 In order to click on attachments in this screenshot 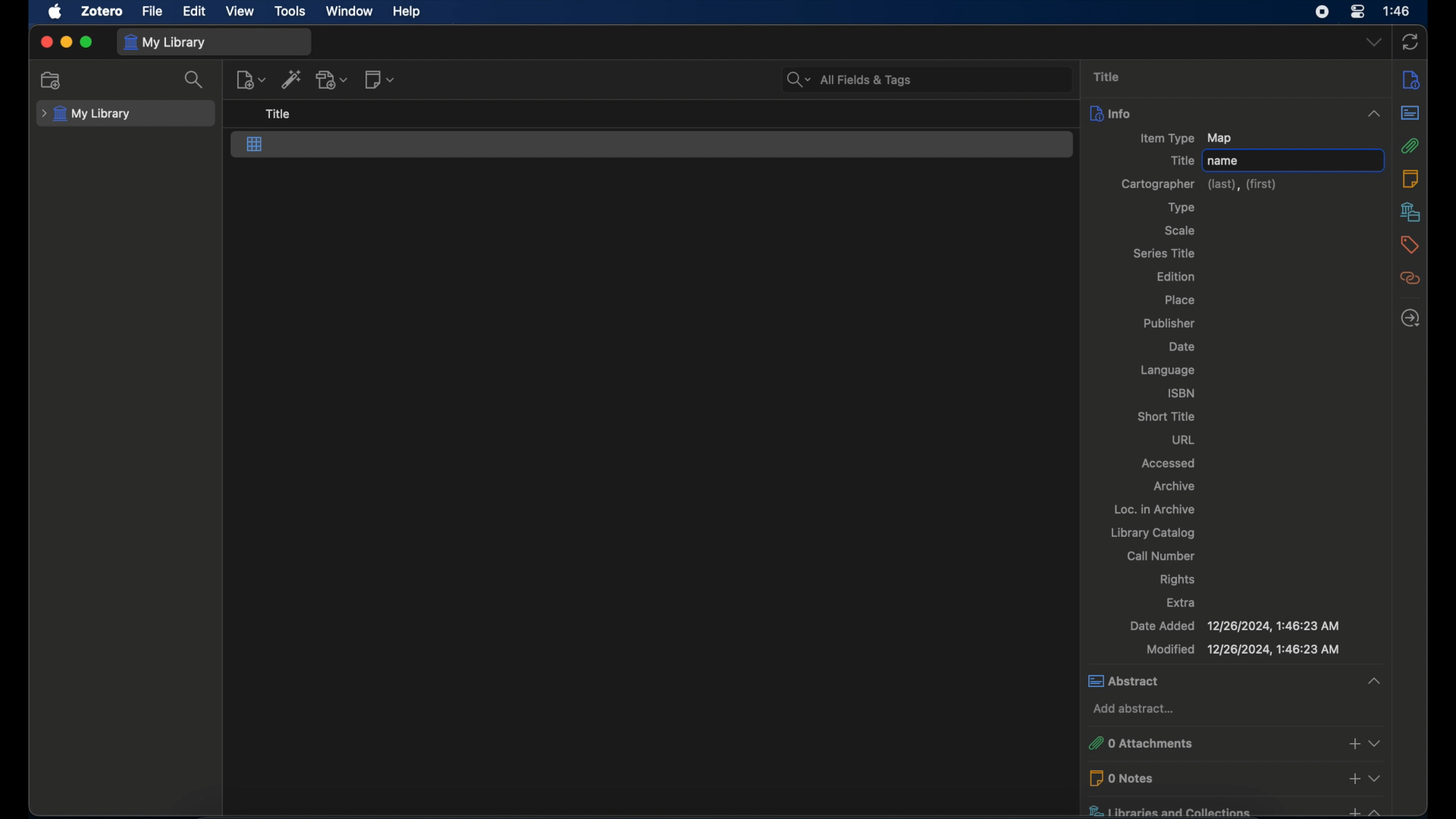, I will do `click(1410, 146)`.